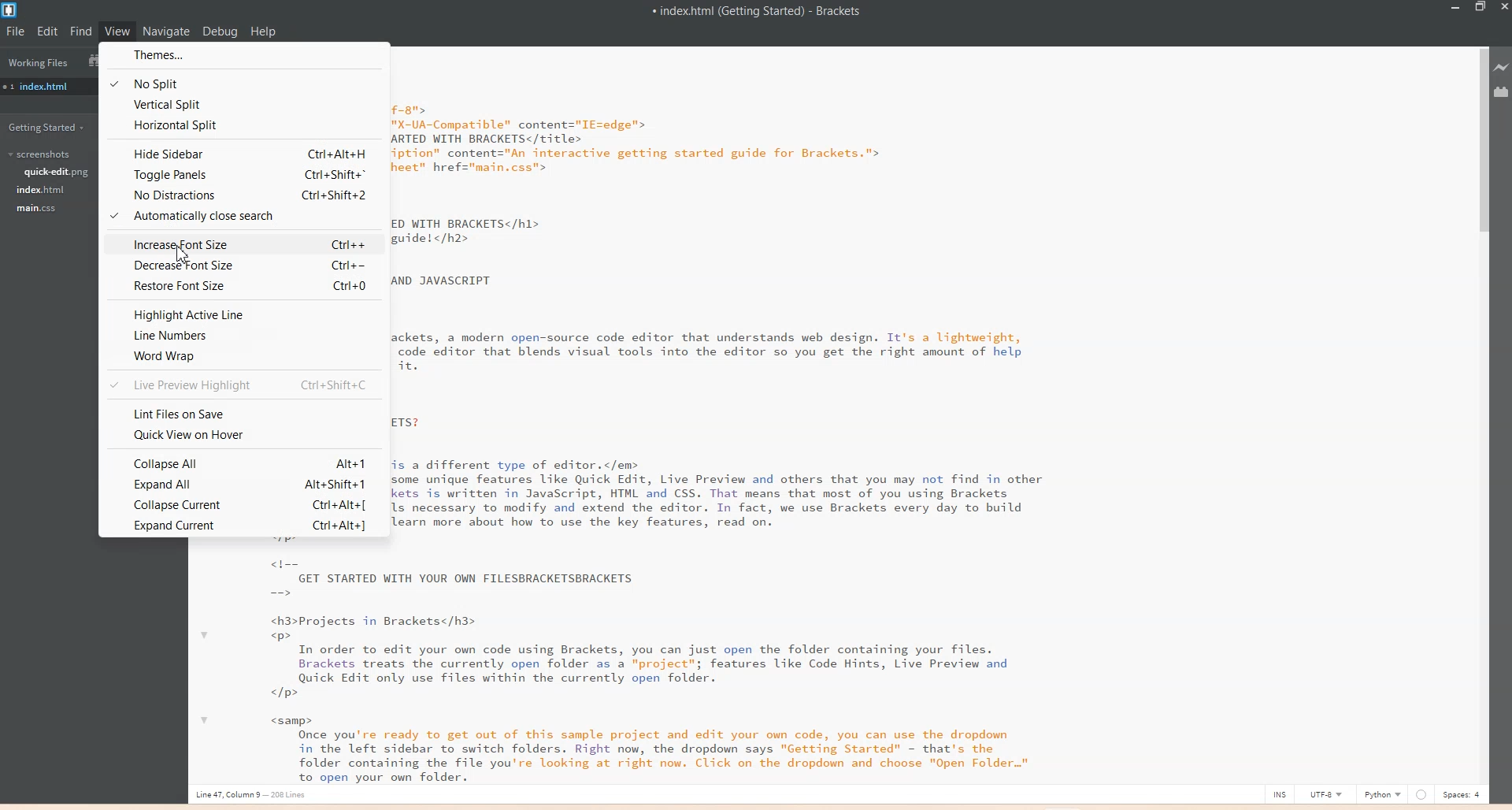 The width and height of the screenshot is (1512, 810). I want to click on main.css, so click(39, 209).